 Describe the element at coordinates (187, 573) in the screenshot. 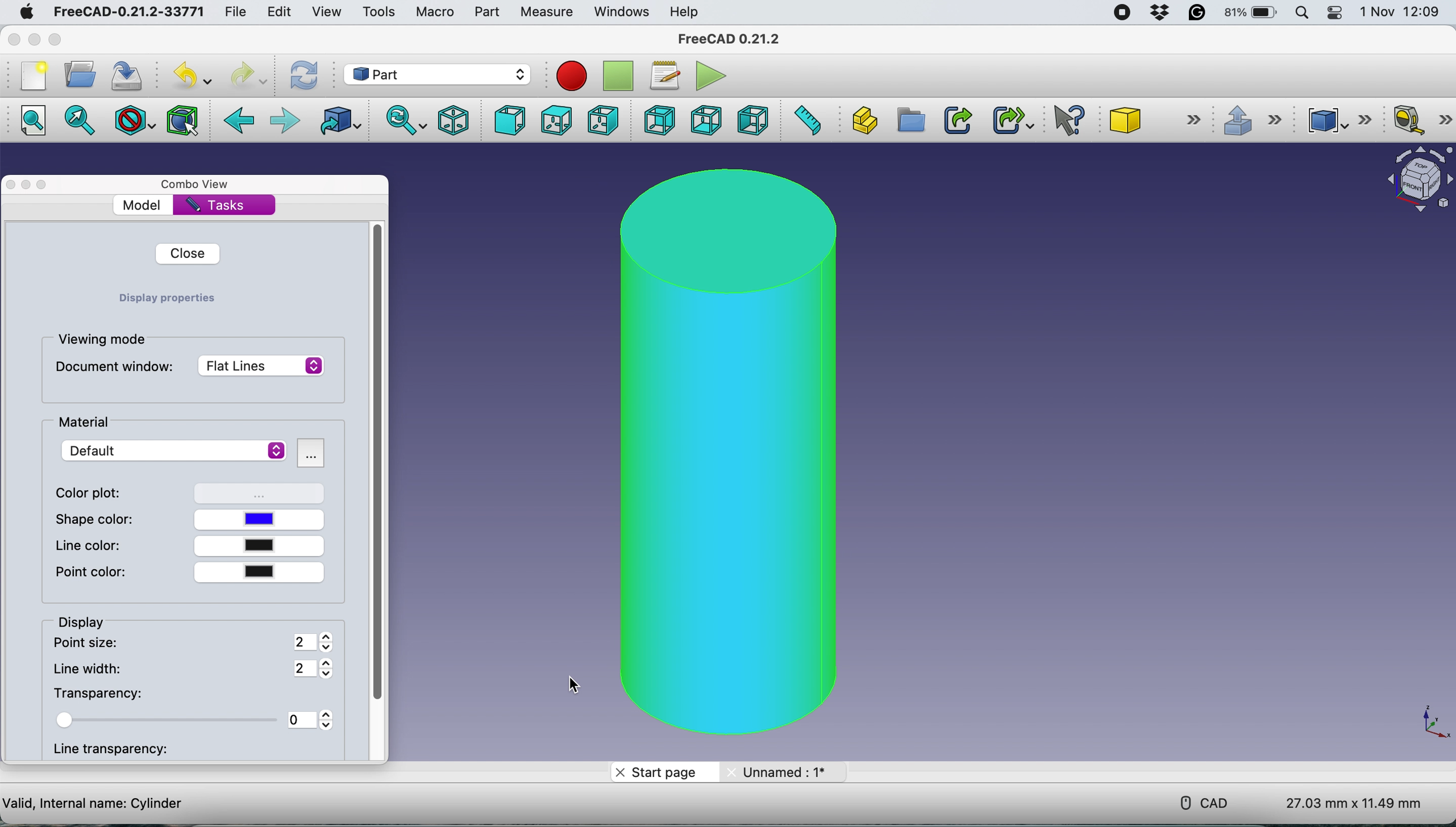

I see `point color` at that location.